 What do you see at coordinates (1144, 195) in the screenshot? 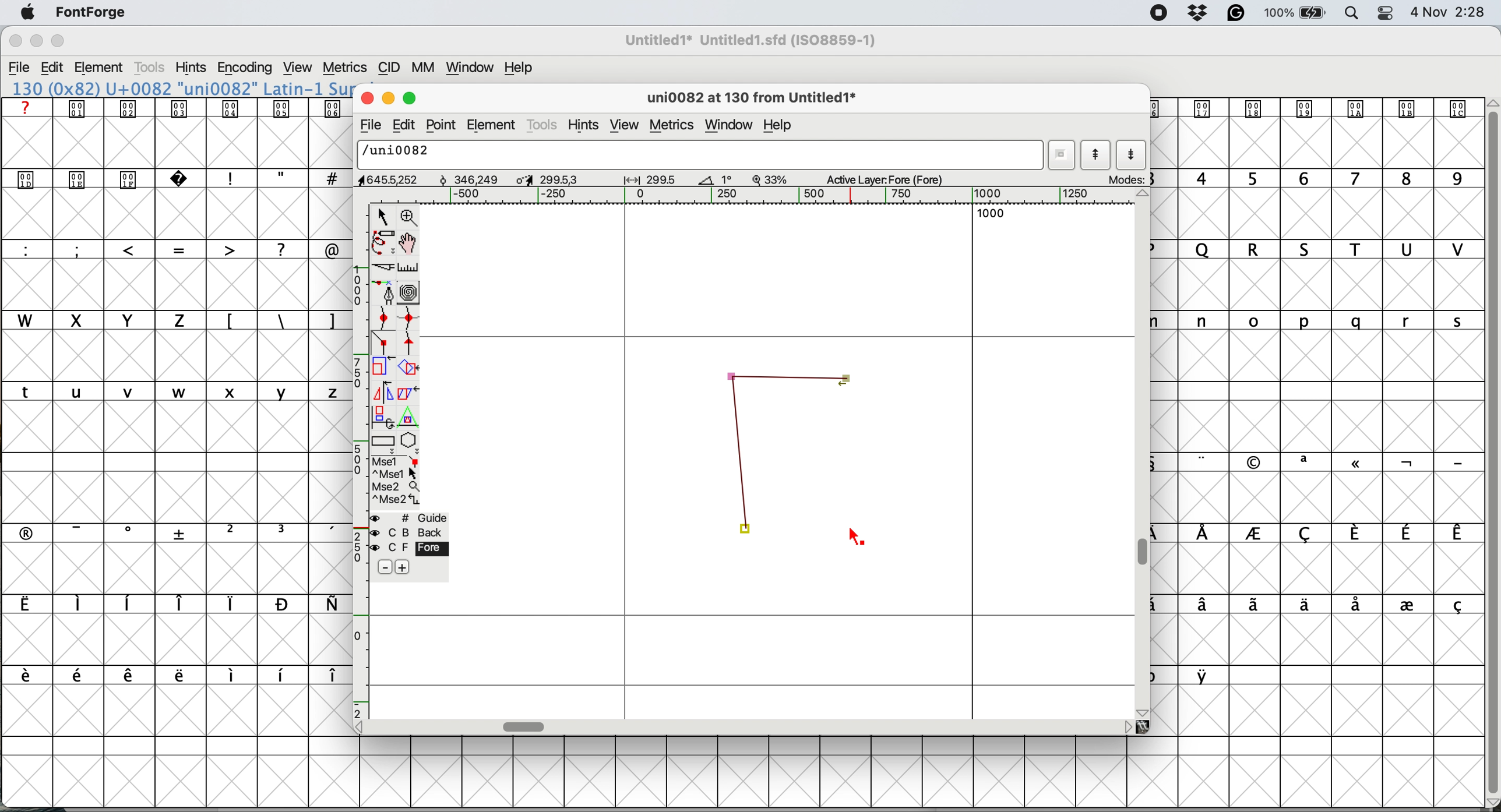
I see `scroll button` at bounding box center [1144, 195].